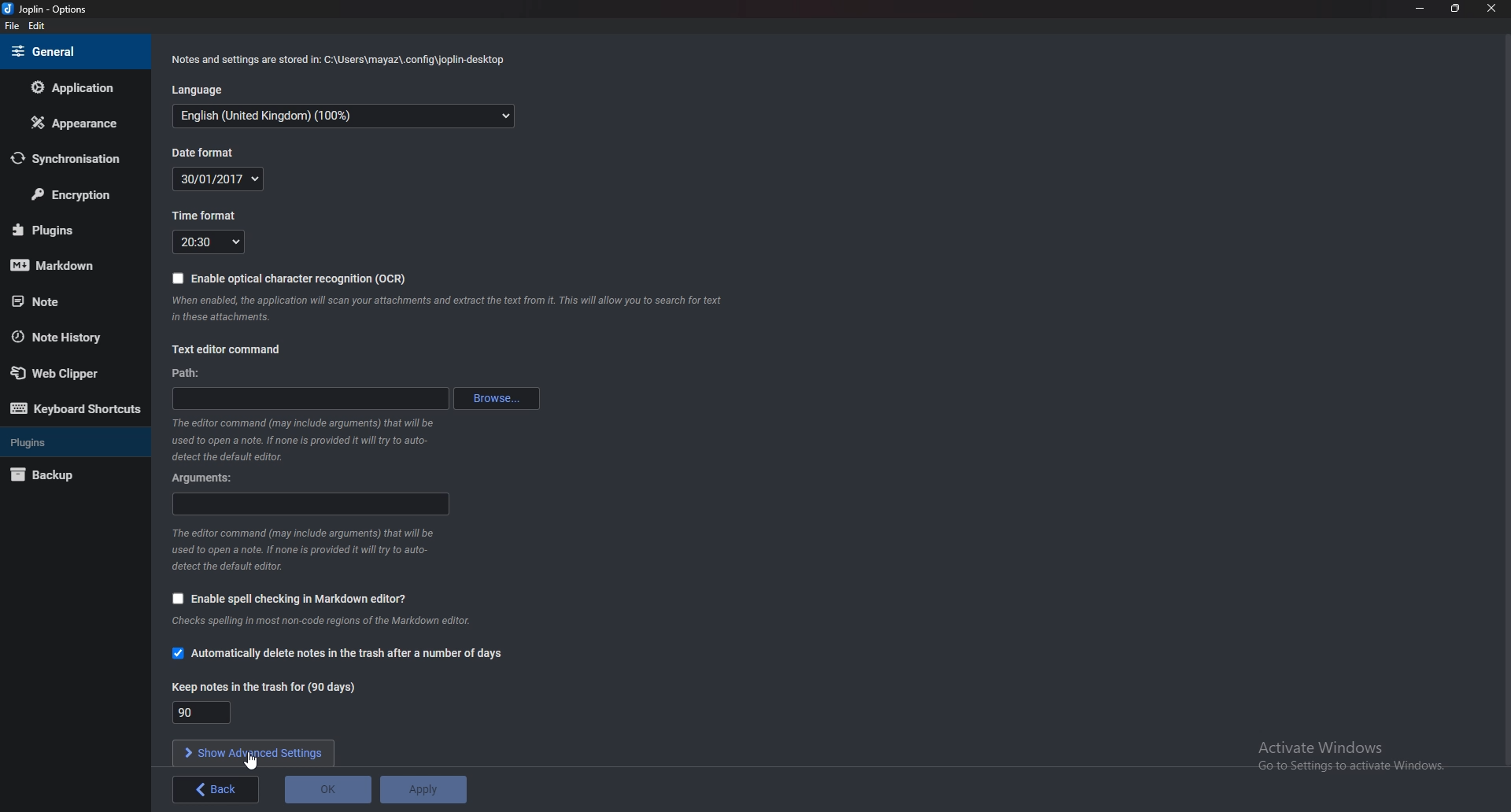  What do you see at coordinates (302, 440) in the screenshot?
I see `Info on editor command` at bounding box center [302, 440].